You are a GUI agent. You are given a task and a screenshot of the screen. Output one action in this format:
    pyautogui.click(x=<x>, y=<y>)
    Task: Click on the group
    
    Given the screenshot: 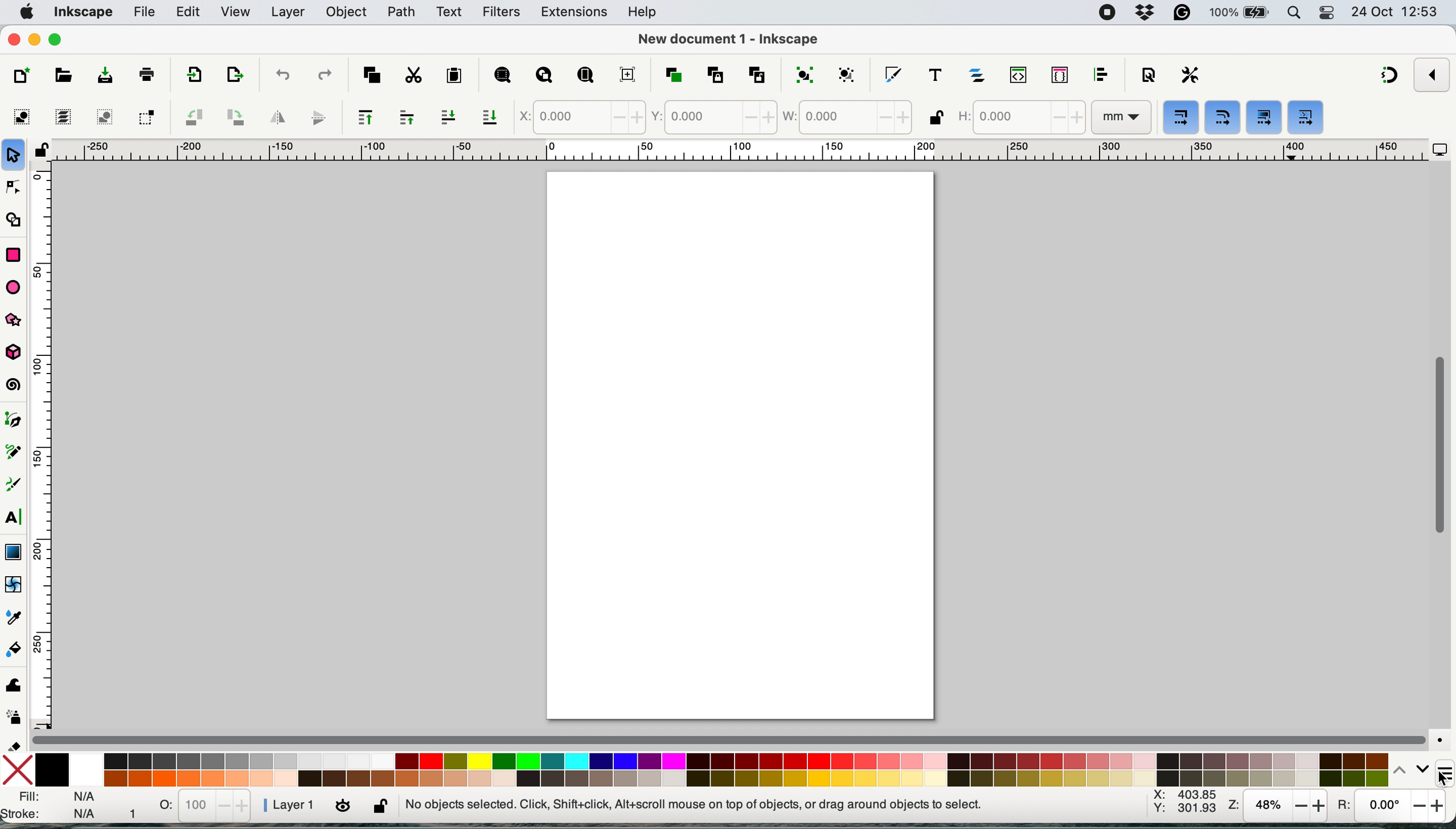 What is the action you would take?
    pyautogui.click(x=803, y=73)
    